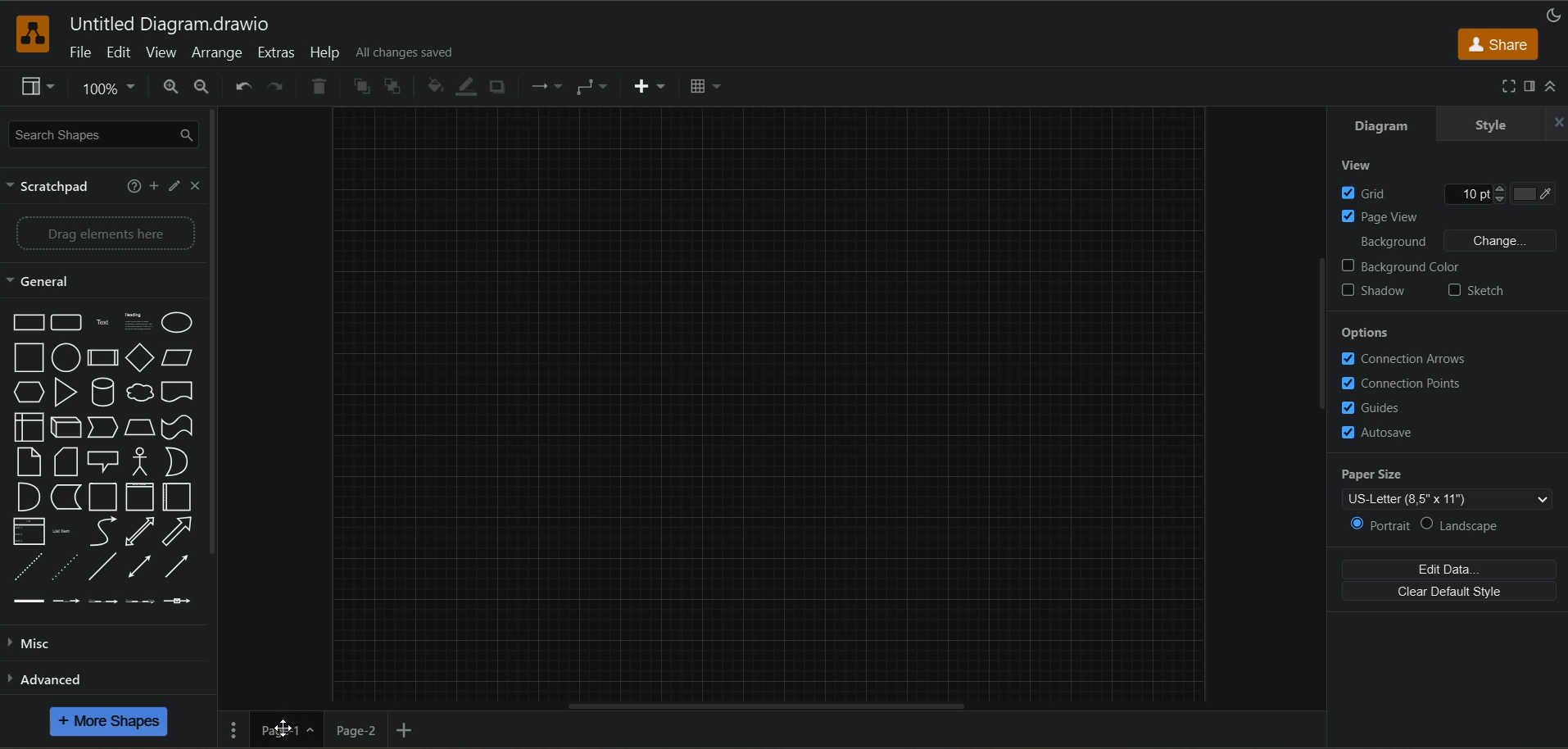 The height and width of the screenshot is (749, 1568). Describe the element at coordinates (34, 35) in the screenshot. I see `app logo` at that location.